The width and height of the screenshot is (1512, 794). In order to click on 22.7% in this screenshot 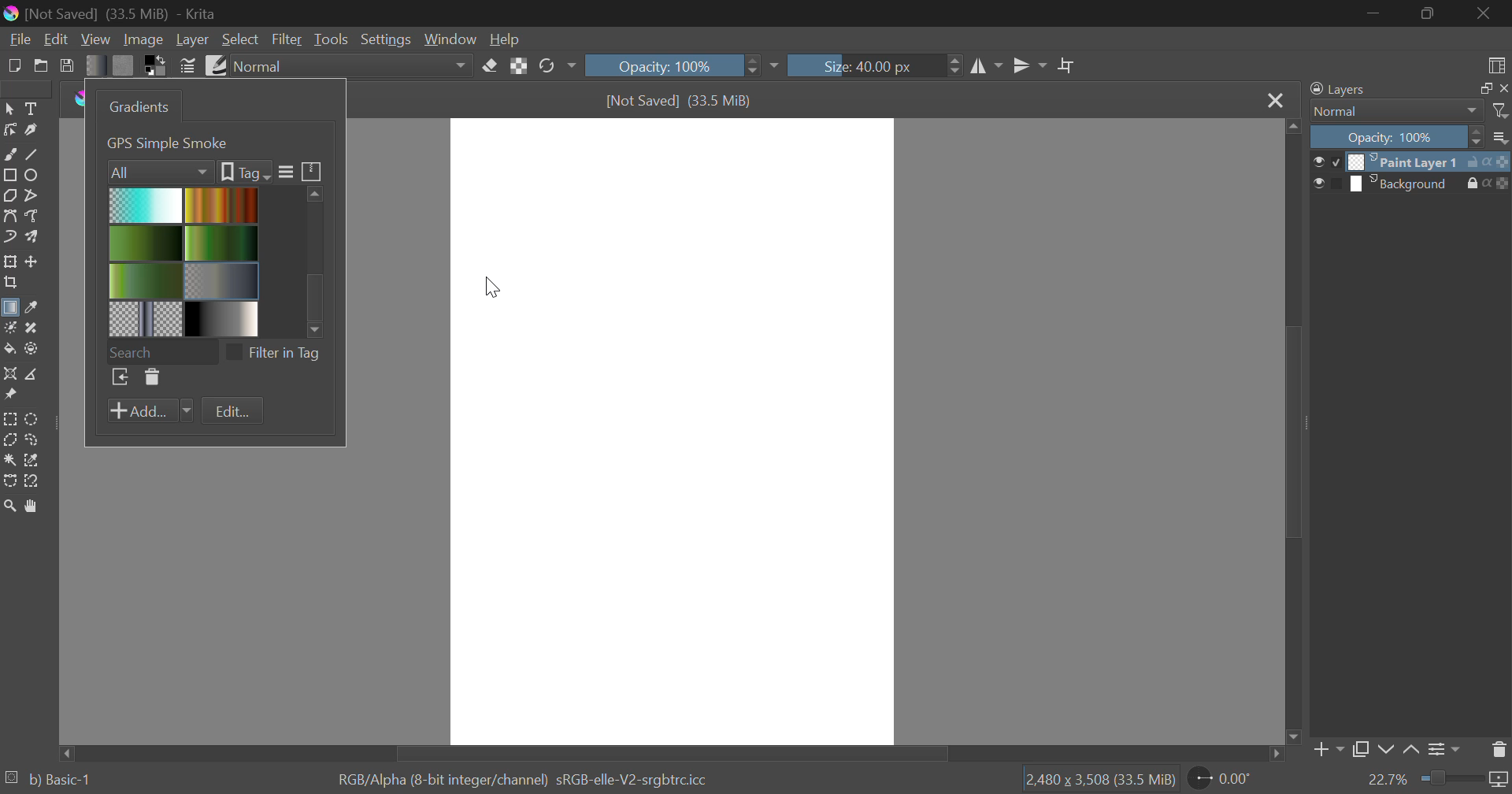, I will do `click(1437, 781)`.